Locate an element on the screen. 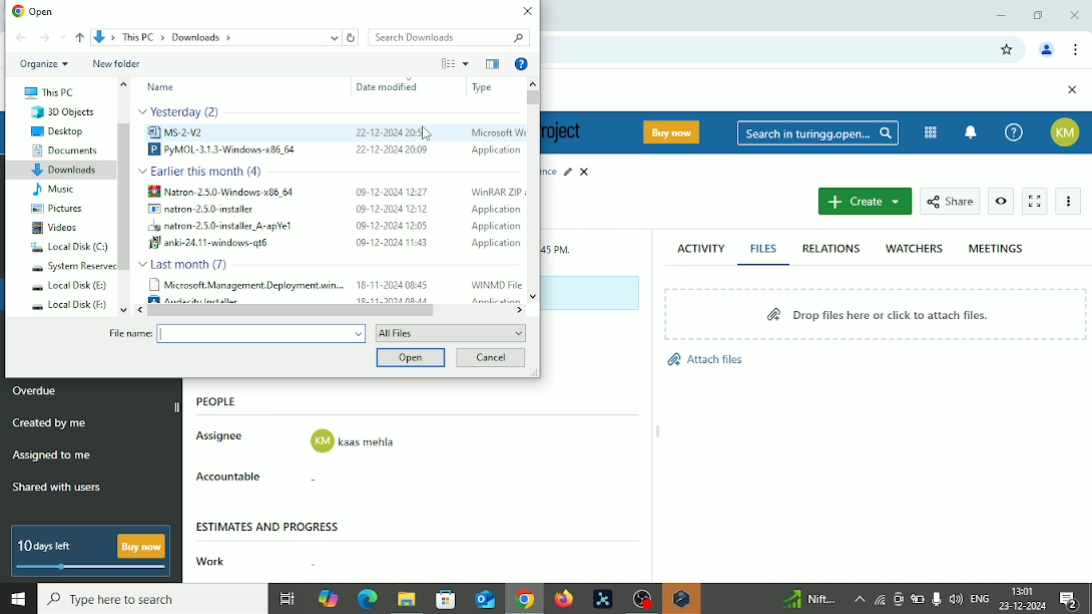  22-12-2004 20090 is located at coordinates (386, 150).